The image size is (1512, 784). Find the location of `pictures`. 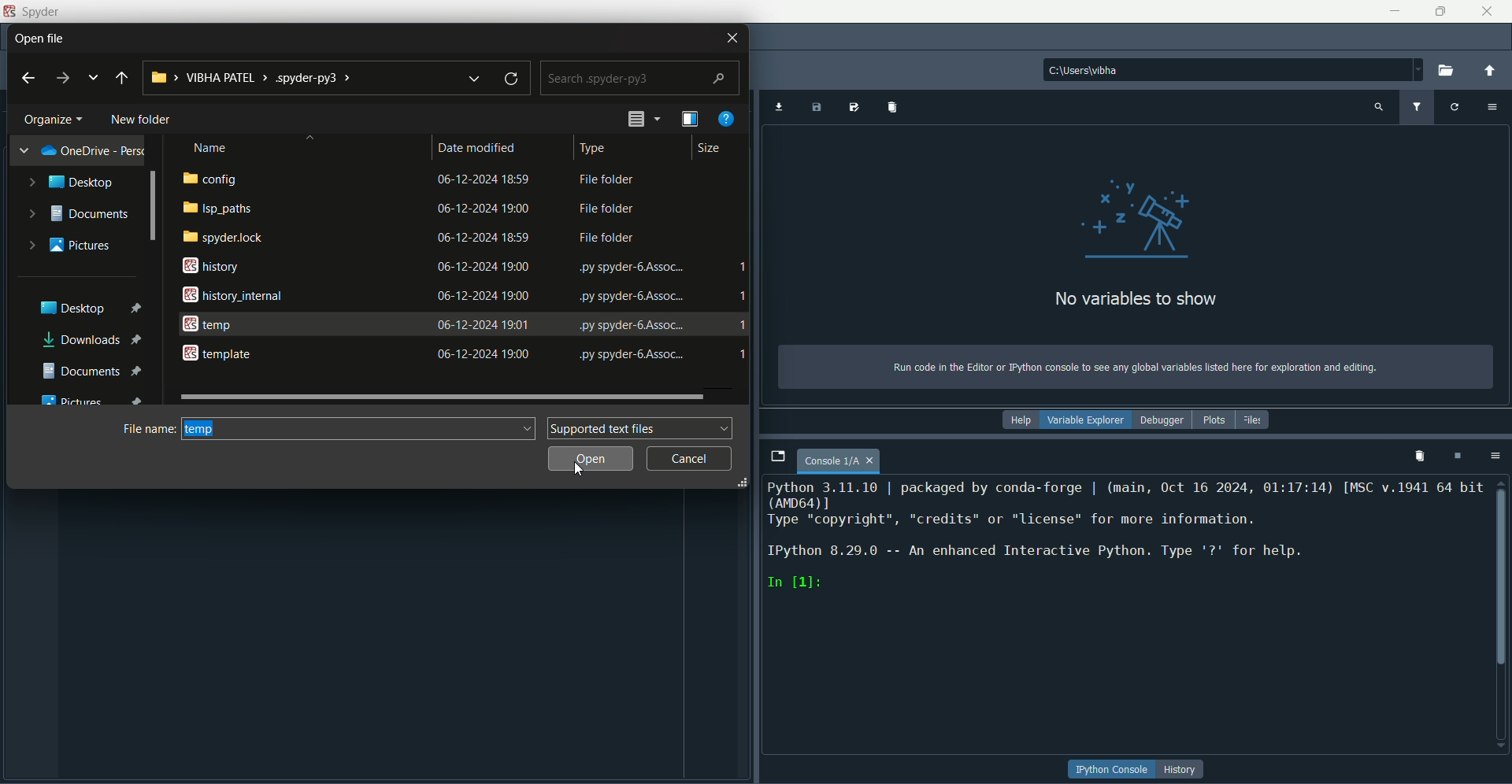

pictures is located at coordinates (98, 398).